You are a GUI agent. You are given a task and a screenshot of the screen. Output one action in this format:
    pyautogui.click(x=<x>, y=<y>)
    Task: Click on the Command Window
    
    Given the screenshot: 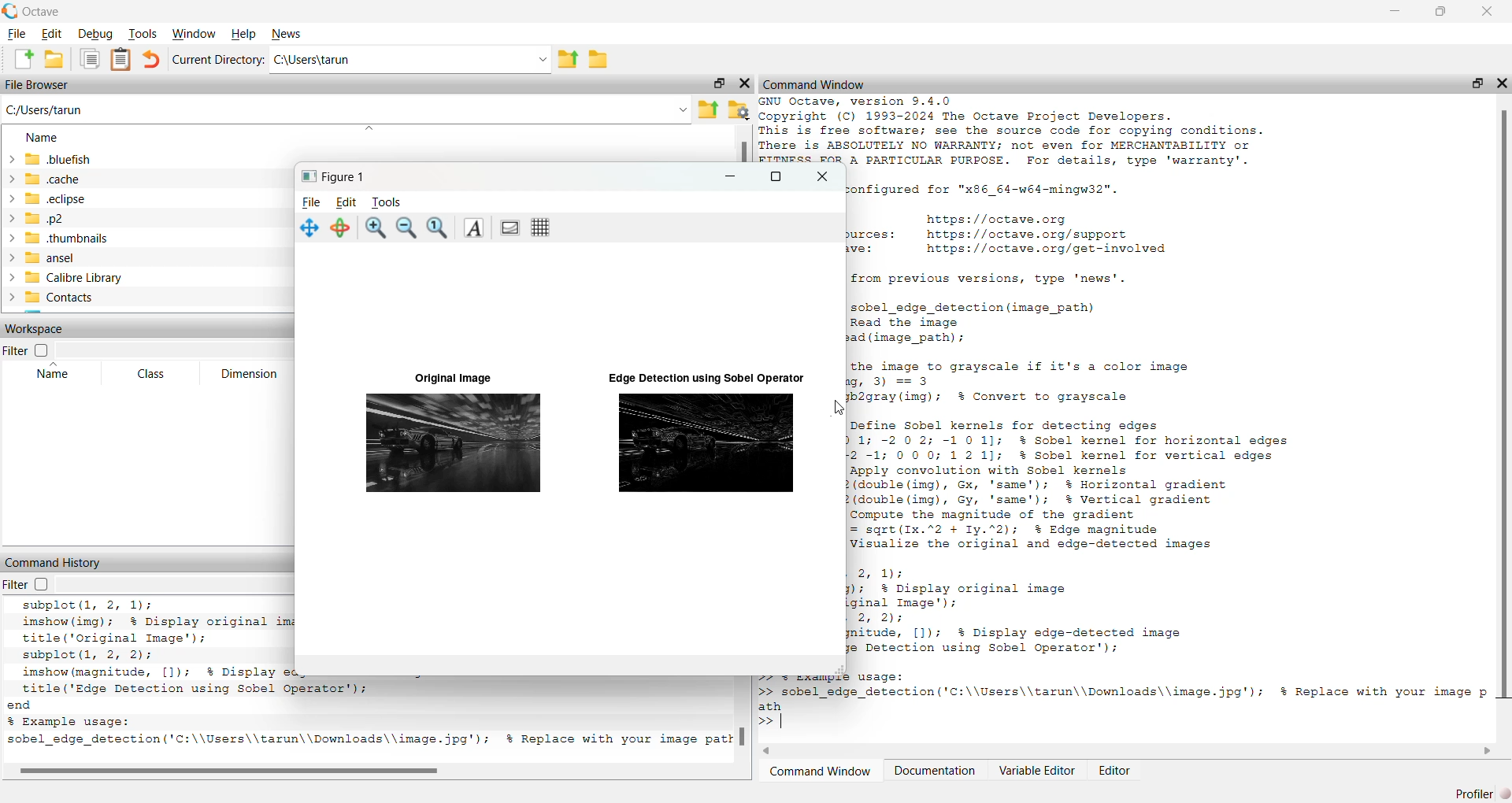 What is the action you would take?
    pyautogui.click(x=821, y=773)
    